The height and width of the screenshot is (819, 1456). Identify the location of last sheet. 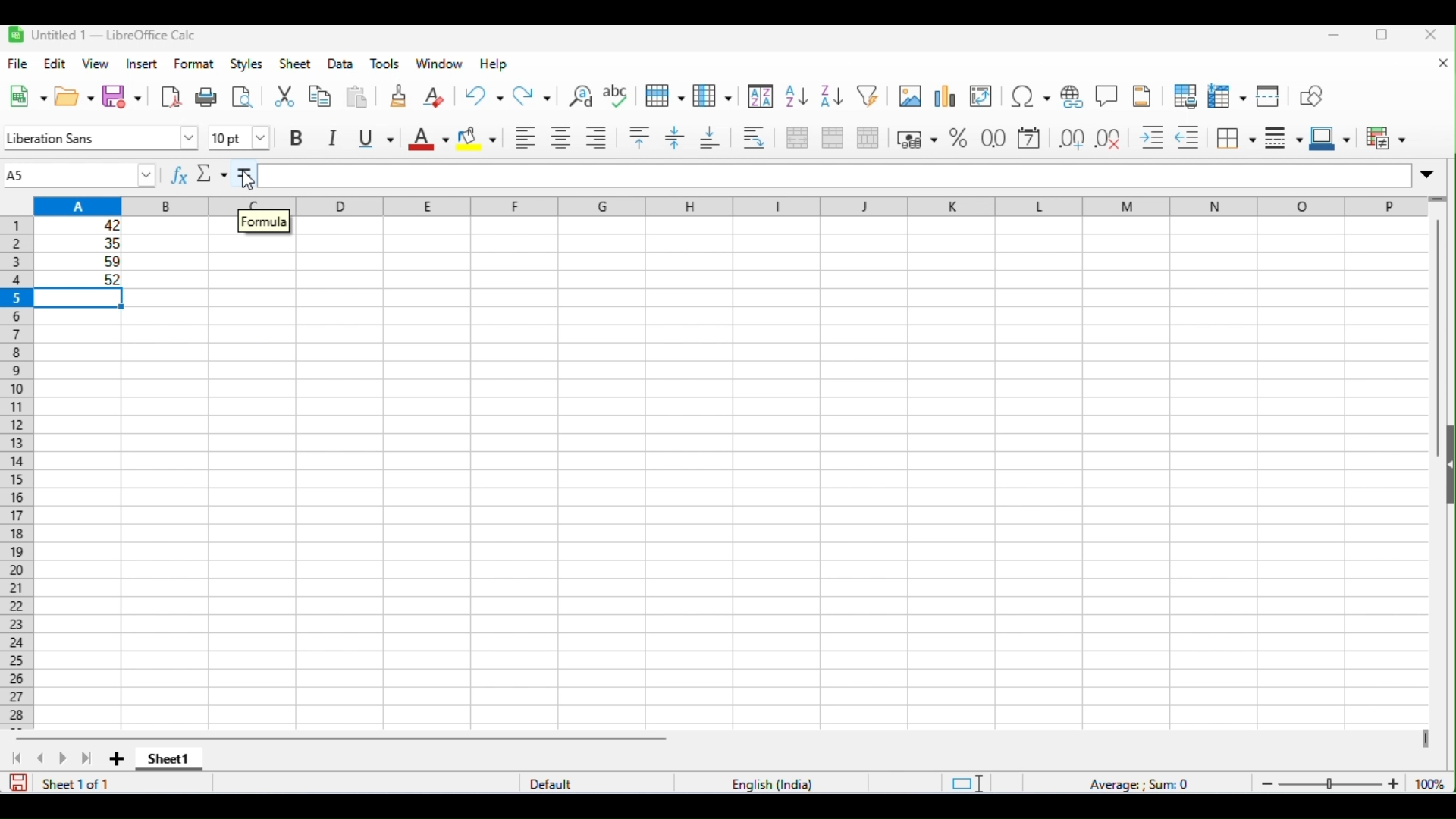
(88, 760).